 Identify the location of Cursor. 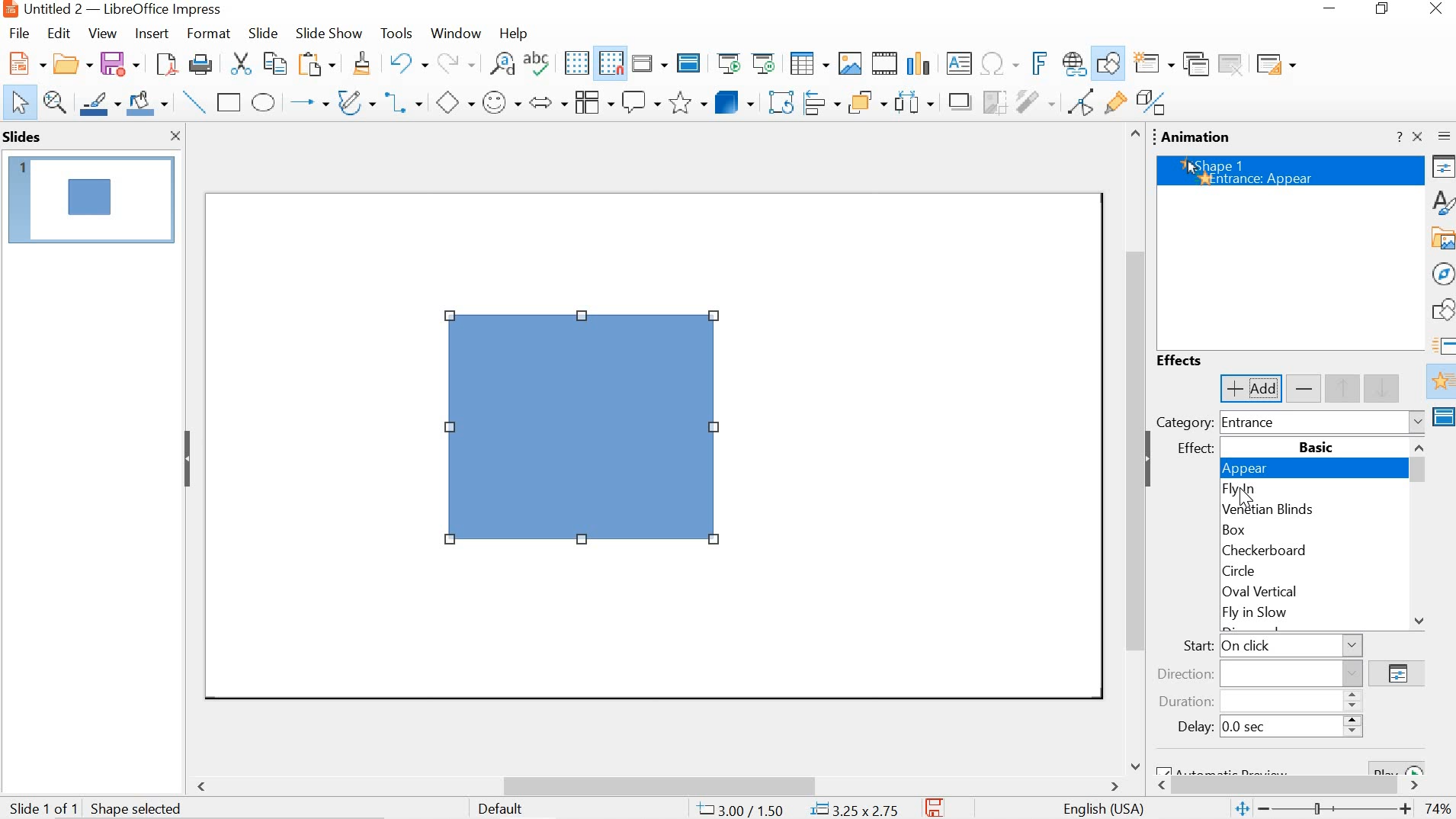
(1250, 499).